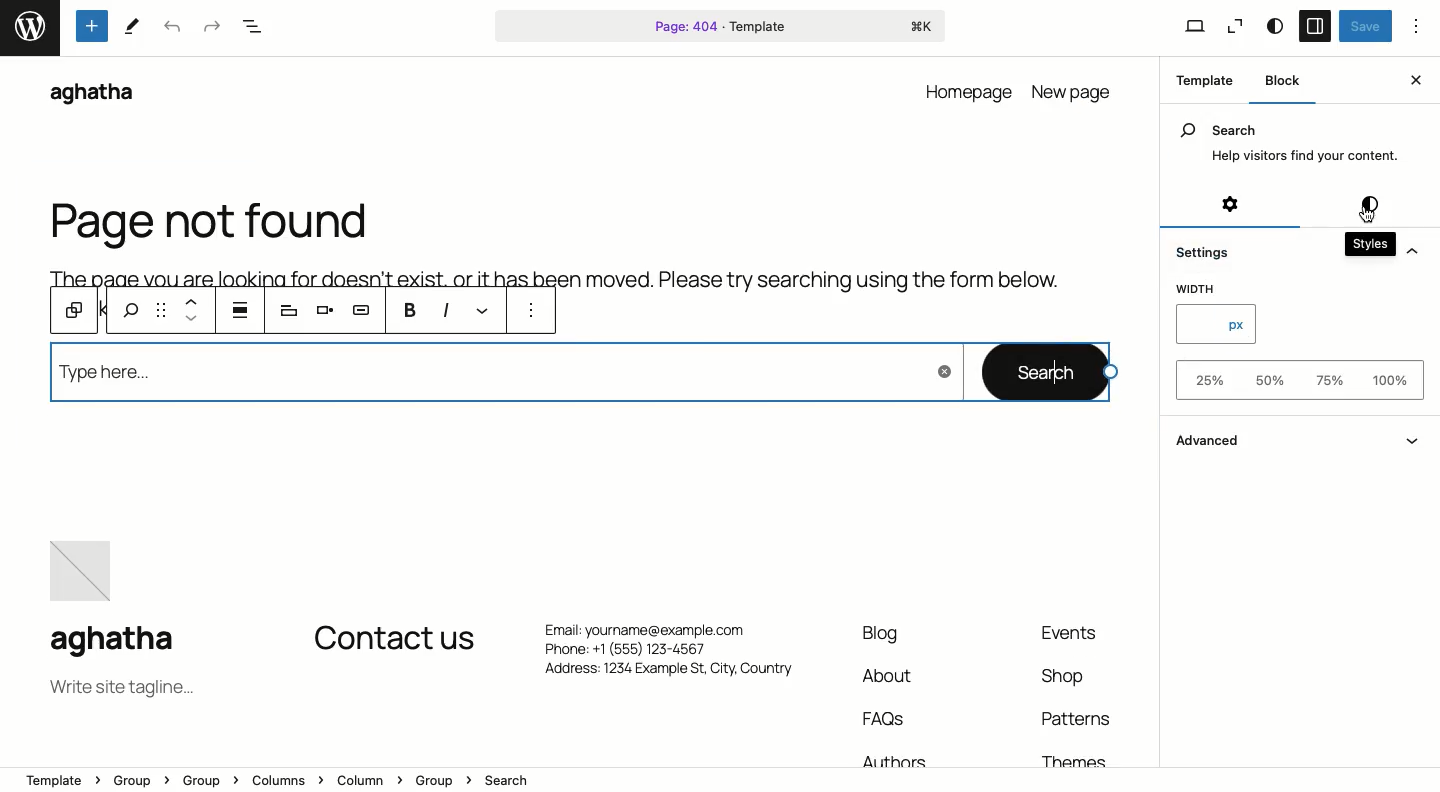  Describe the element at coordinates (321, 312) in the screenshot. I see `Align` at that location.